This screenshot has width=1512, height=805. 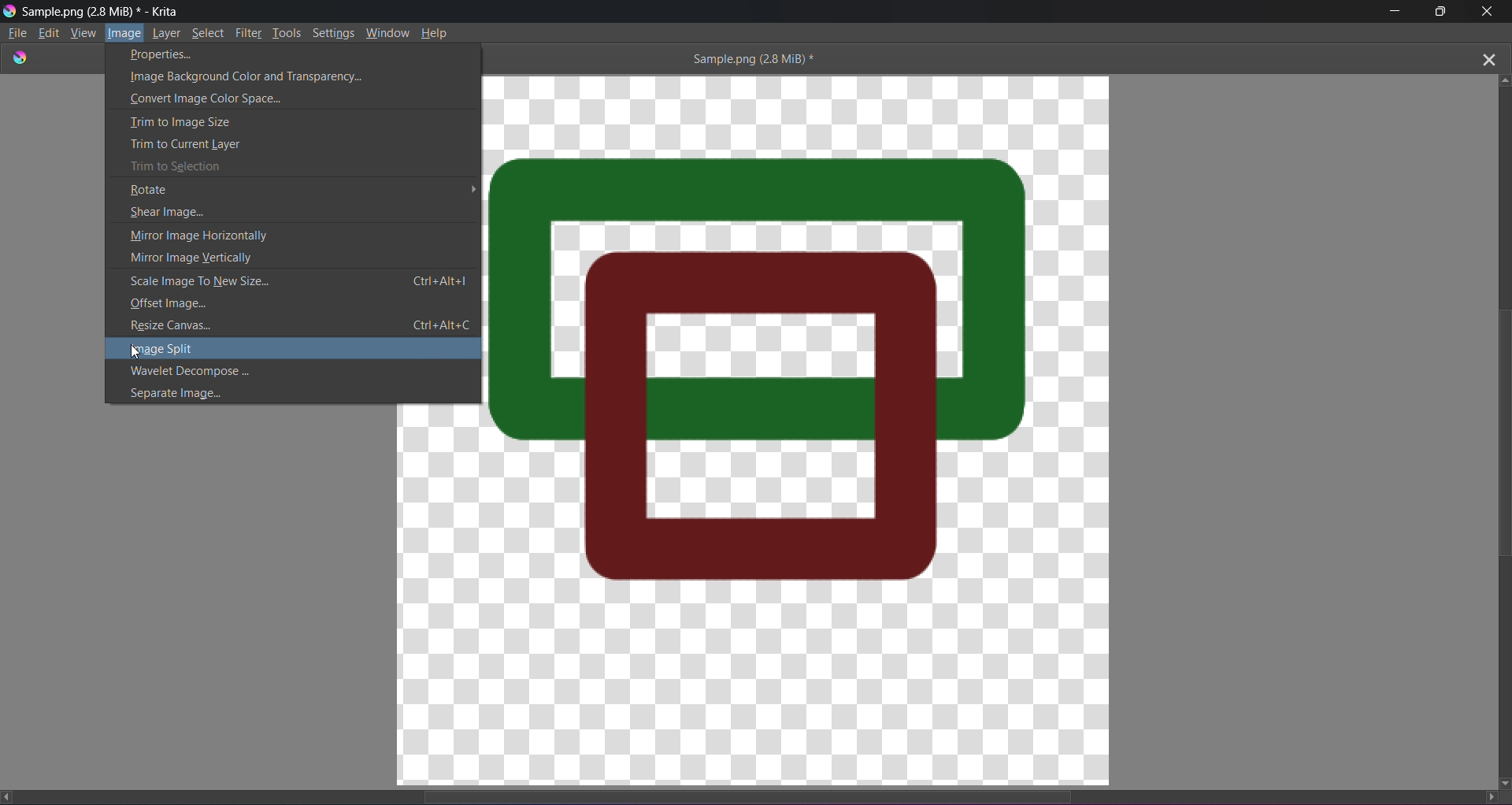 I want to click on Layer, so click(x=169, y=32).